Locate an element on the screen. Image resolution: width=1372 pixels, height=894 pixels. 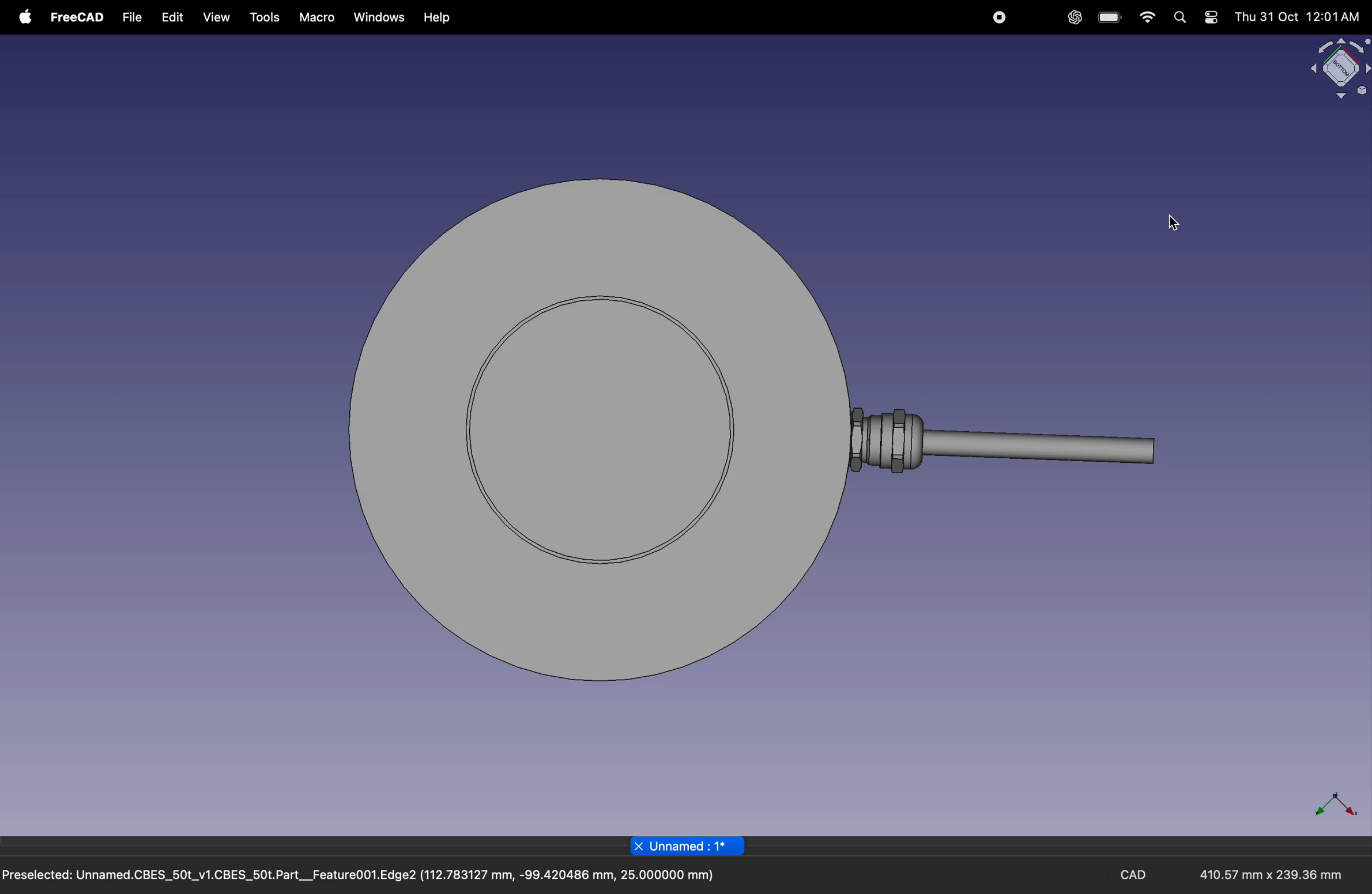
chatgpt is located at coordinates (1075, 18).